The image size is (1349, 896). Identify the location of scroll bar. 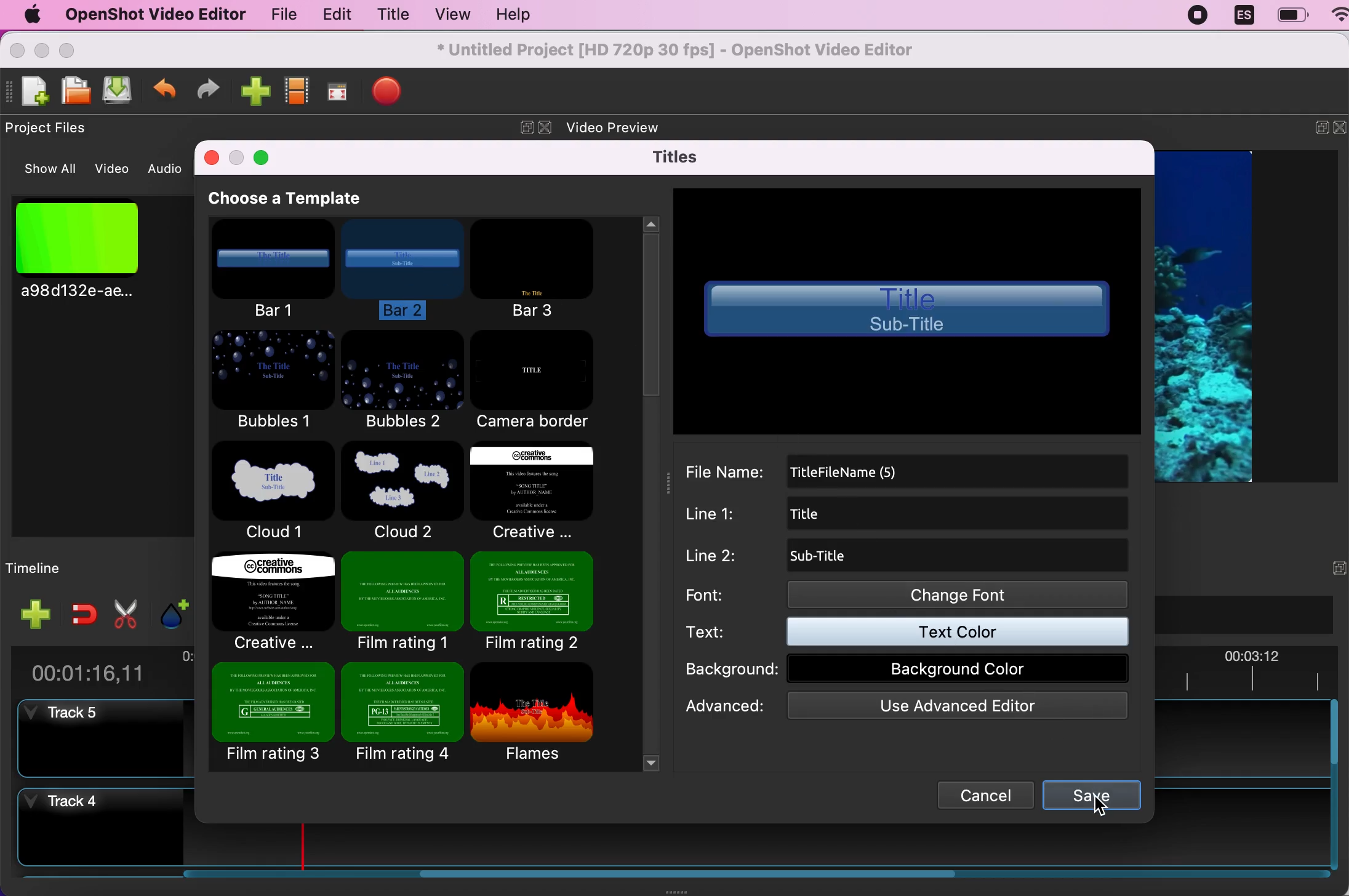
(1334, 787).